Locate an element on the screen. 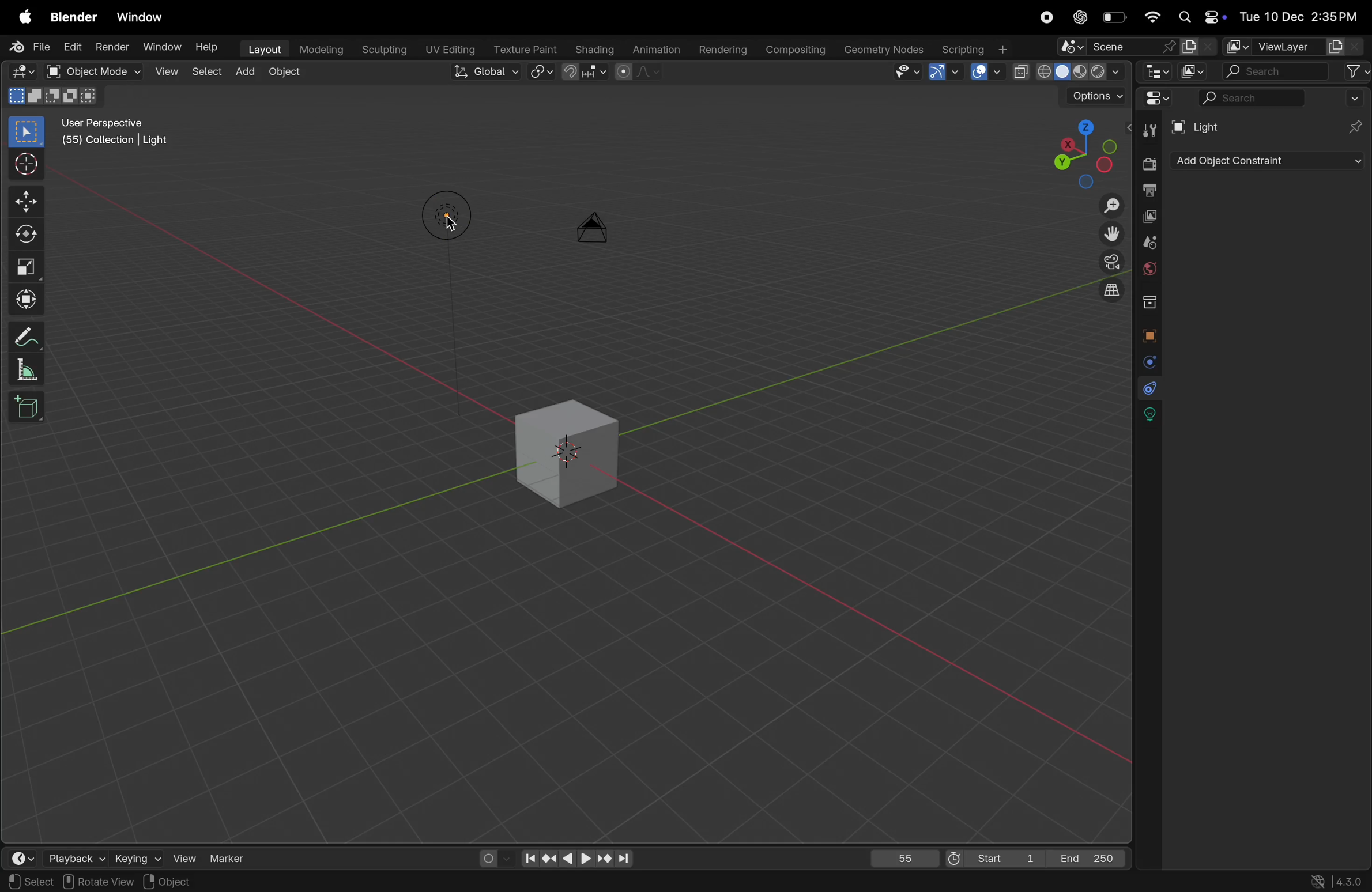  date and time is located at coordinates (1304, 19).